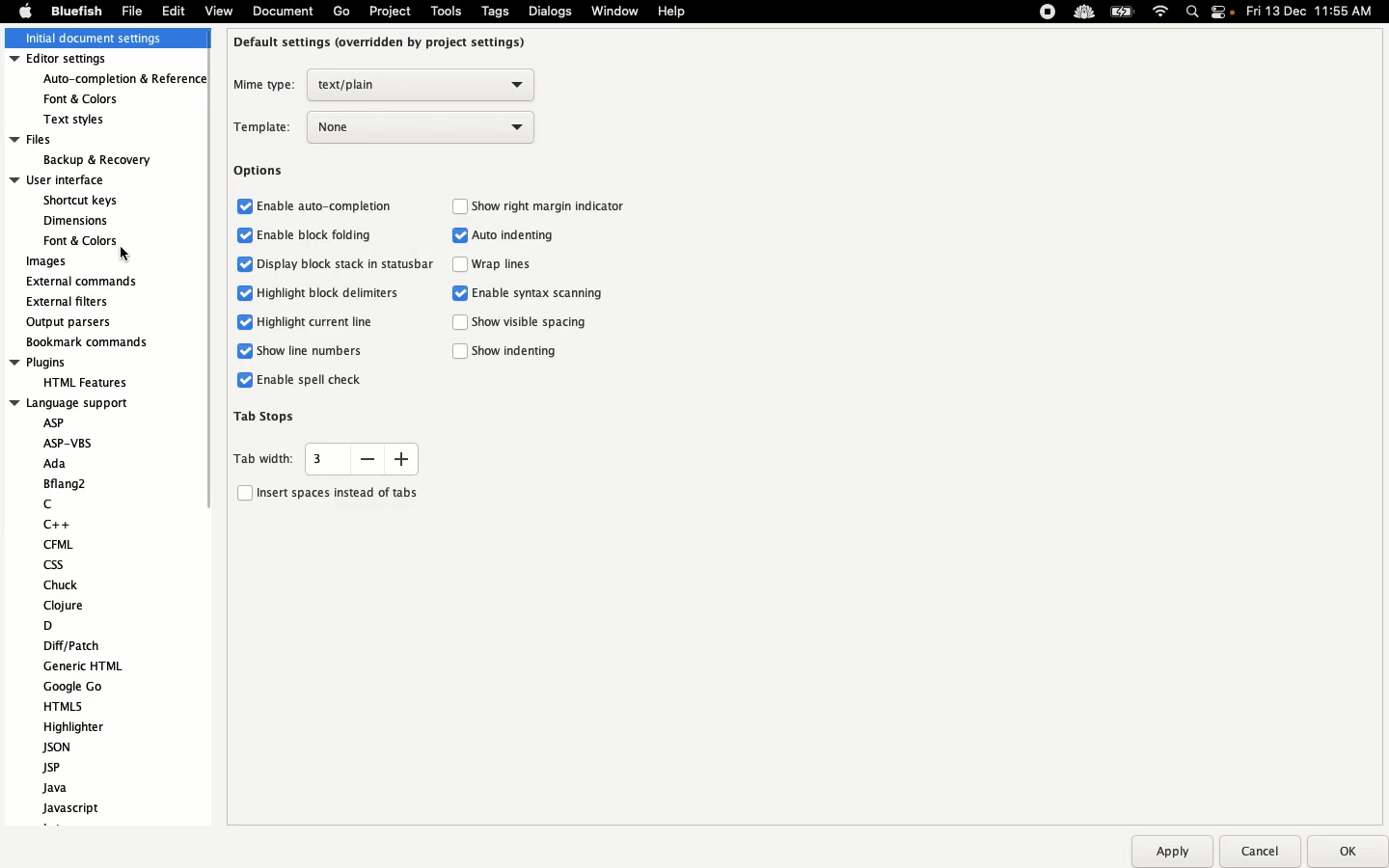 The image size is (1389, 868). What do you see at coordinates (82, 282) in the screenshot?
I see `External commands` at bounding box center [82, 282].